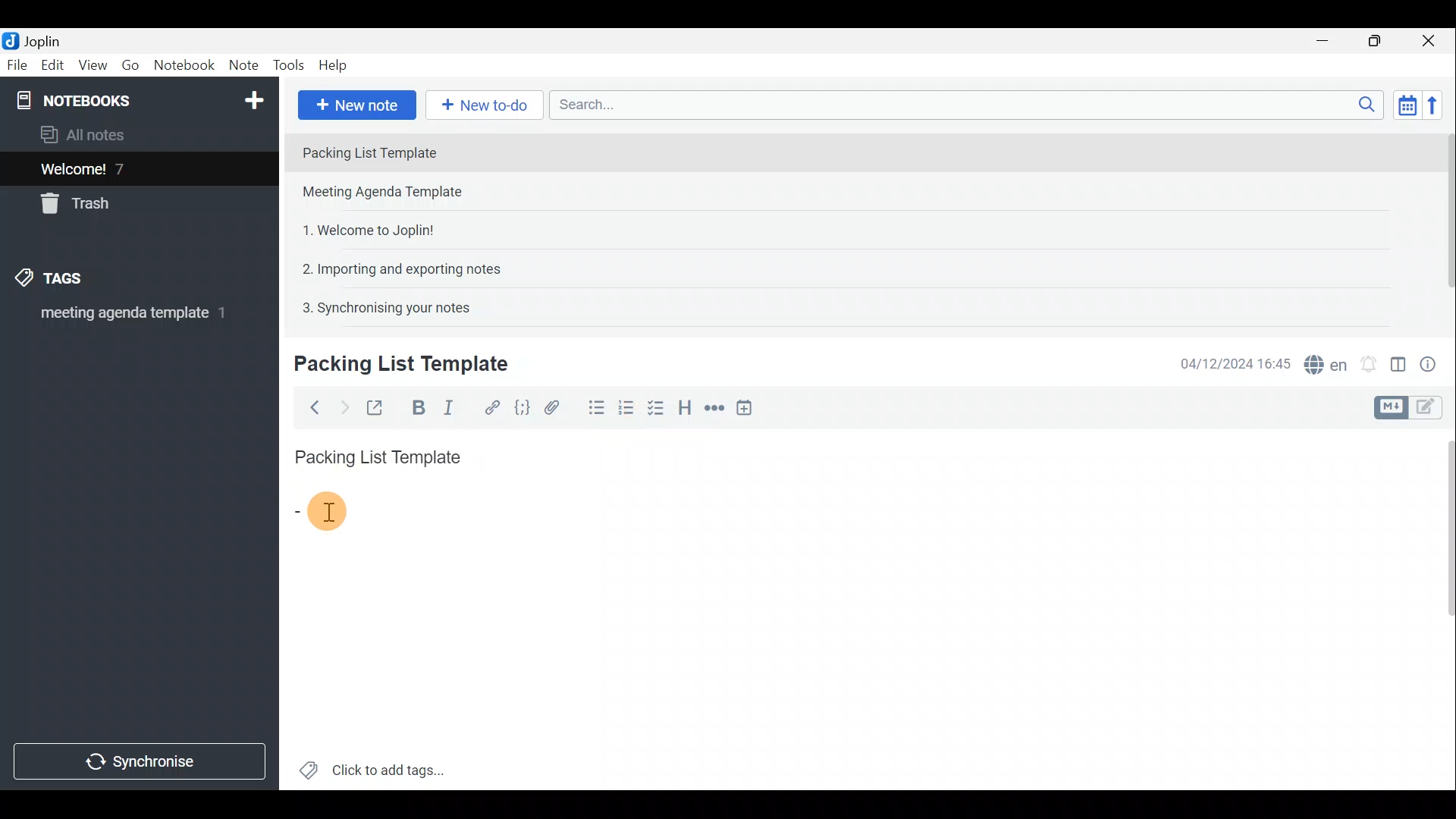  Describe the element at coordinates (116, 168) in the screenshot. I see `Welcome` at that location.